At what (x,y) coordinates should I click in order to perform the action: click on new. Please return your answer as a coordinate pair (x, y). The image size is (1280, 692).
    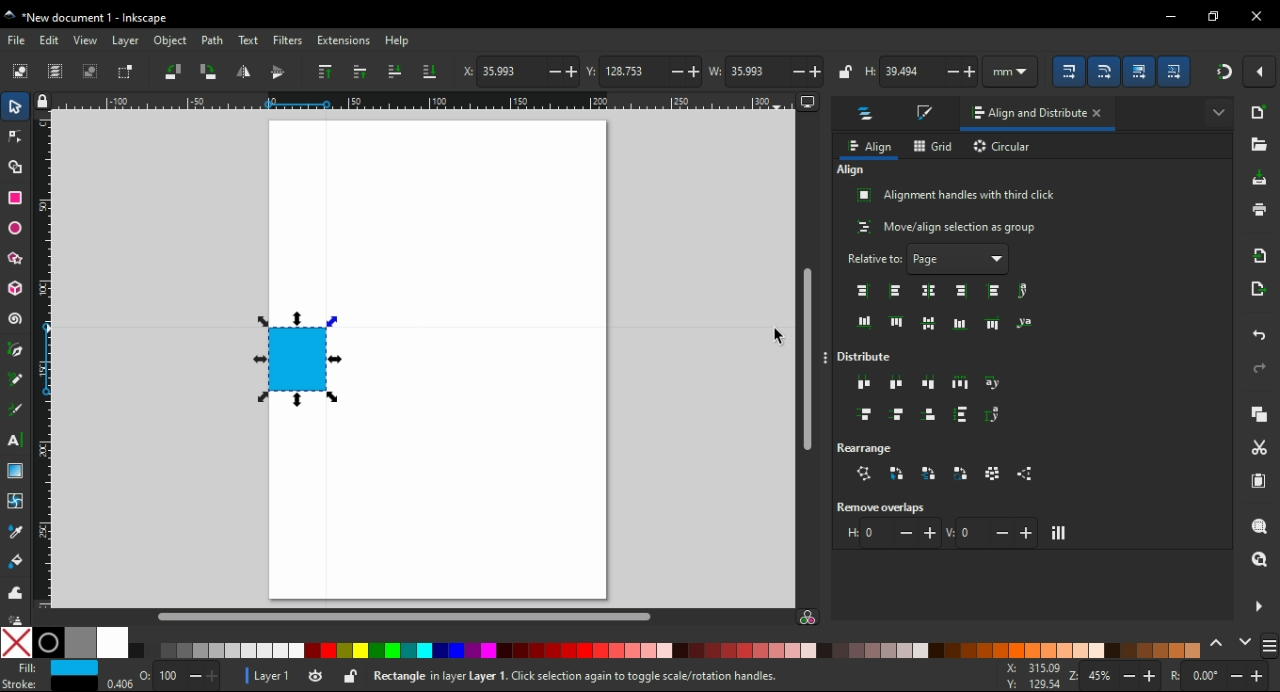
    Looking at the image, I should click on (1257, 115).